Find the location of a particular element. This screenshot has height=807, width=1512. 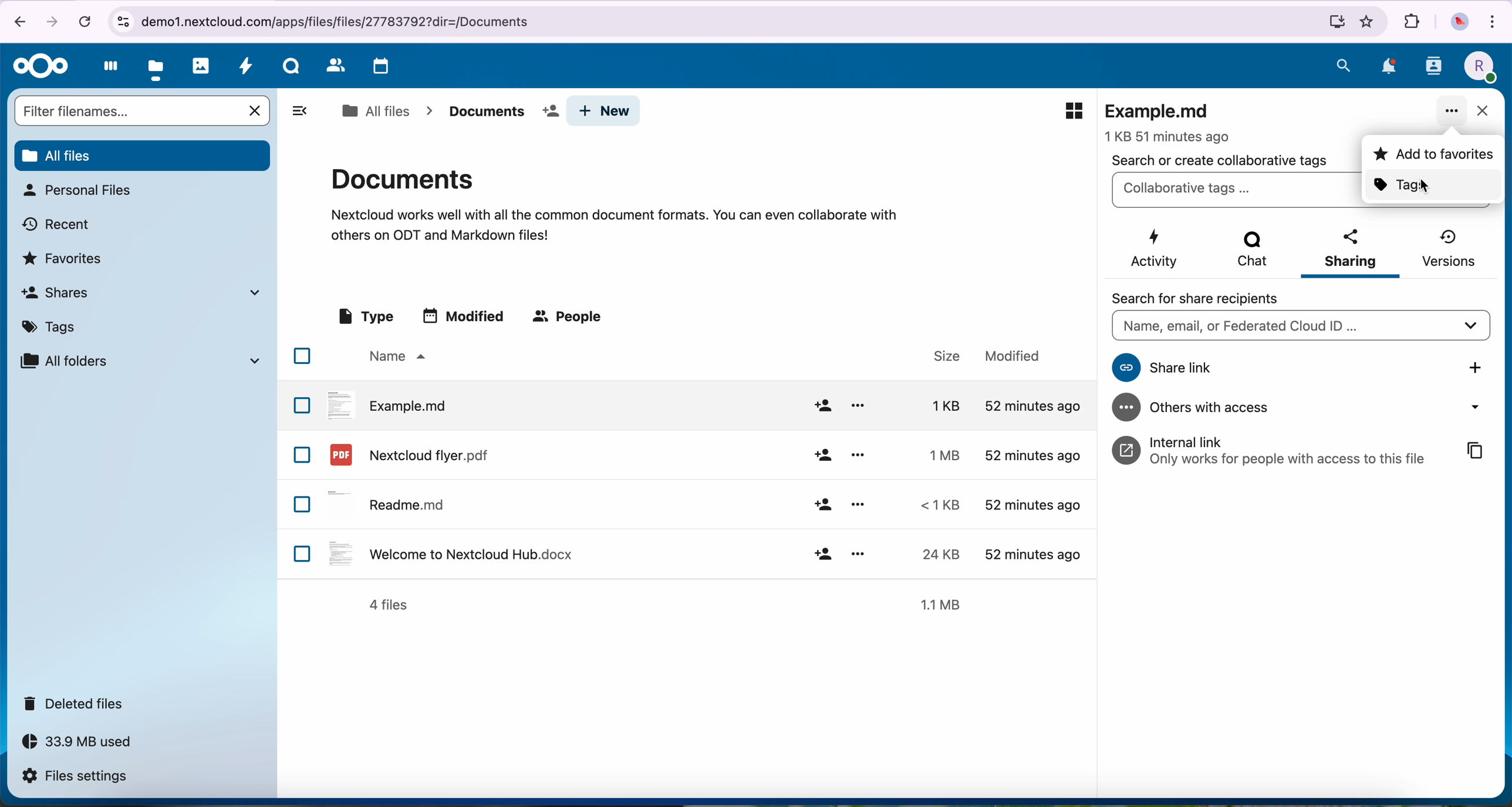

toggle sidebar is located at coordinates (299, 110).